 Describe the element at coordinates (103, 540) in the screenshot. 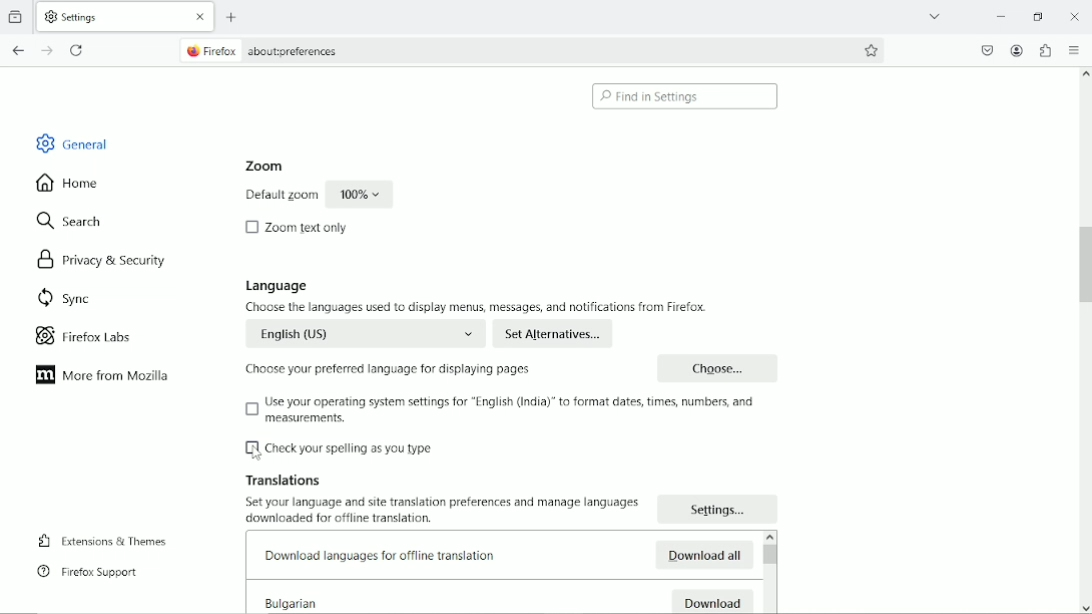

I see `Extensions & Themes` at that location.